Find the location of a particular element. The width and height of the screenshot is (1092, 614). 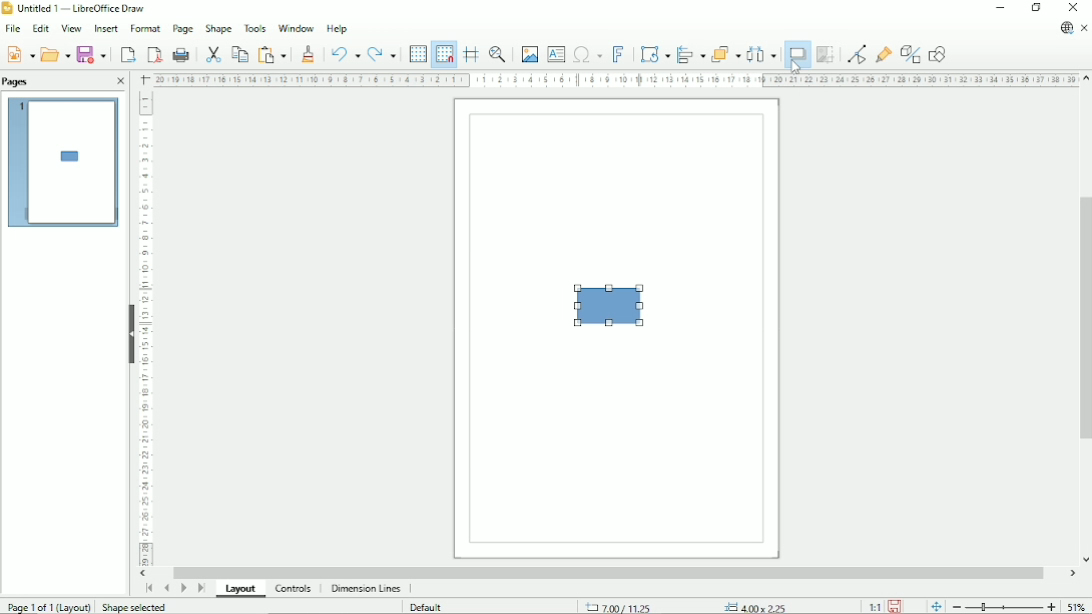

Zoom and pan is located at coordinates (497, 54).